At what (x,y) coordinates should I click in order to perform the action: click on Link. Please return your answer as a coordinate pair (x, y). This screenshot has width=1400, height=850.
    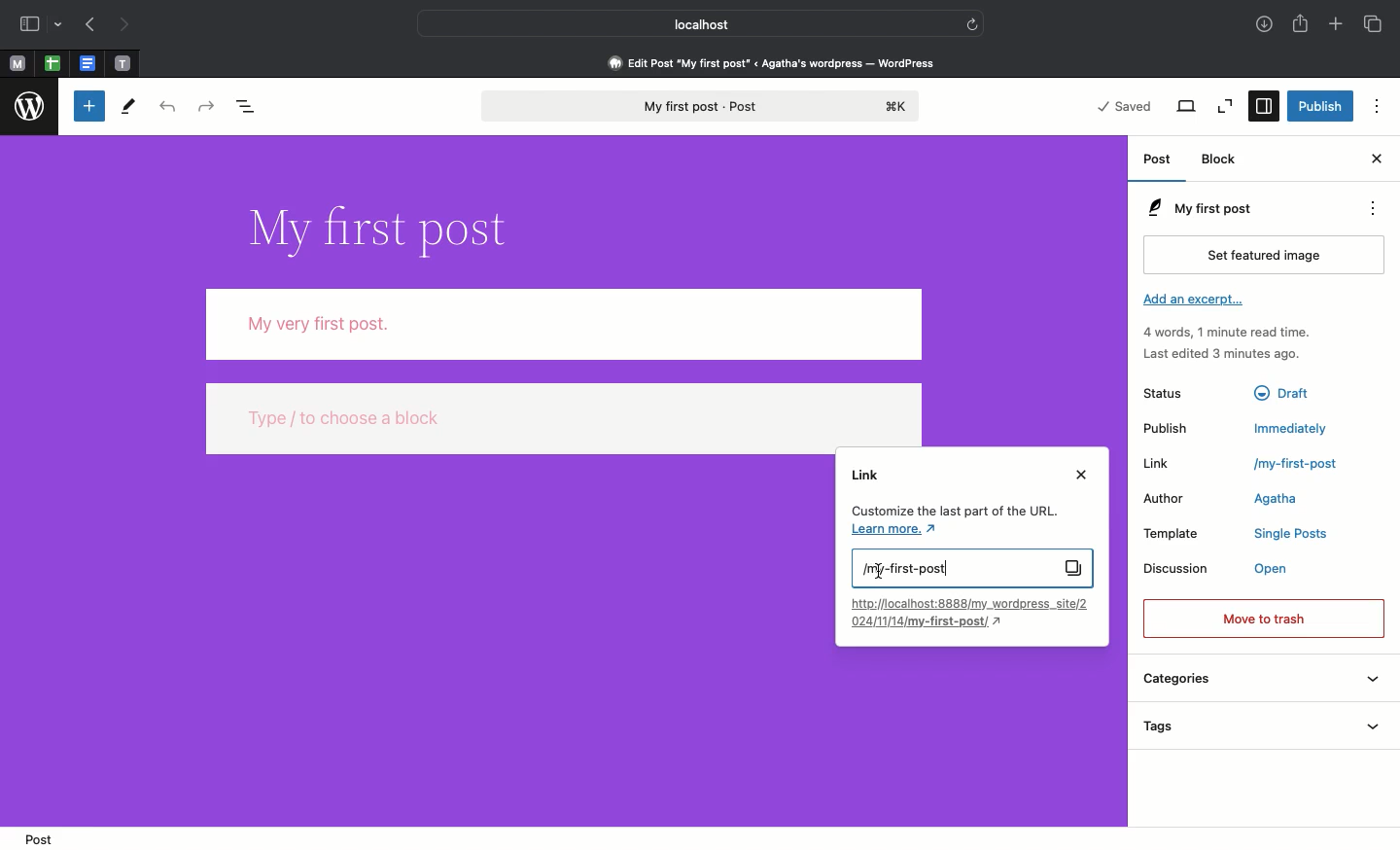
    Looking at the image, I should click on (1163, 463).